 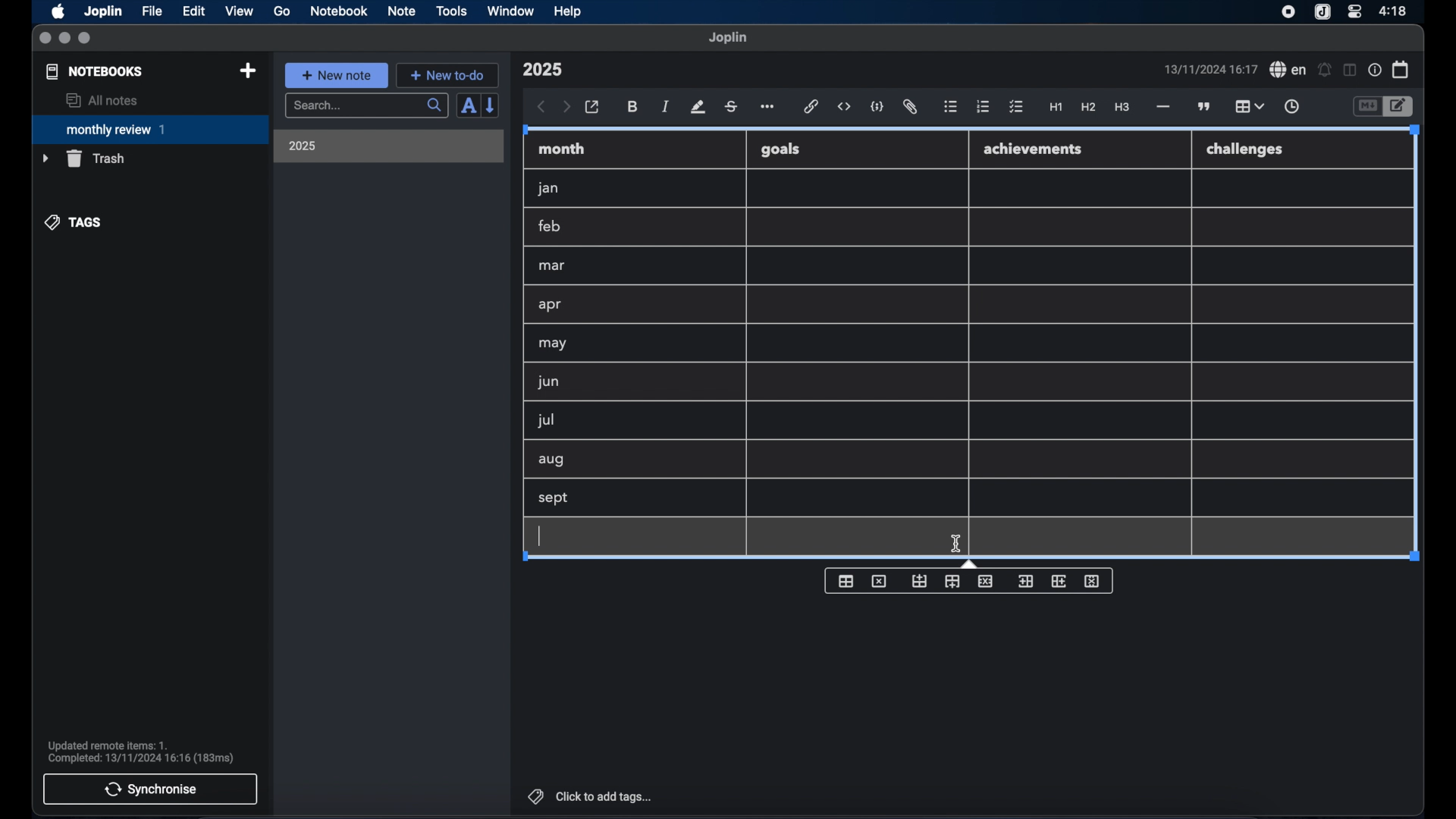 What do you see at coordinates (950, 107) in the screenshot?
I see `bulleted list` at bounding box center [950, 107].